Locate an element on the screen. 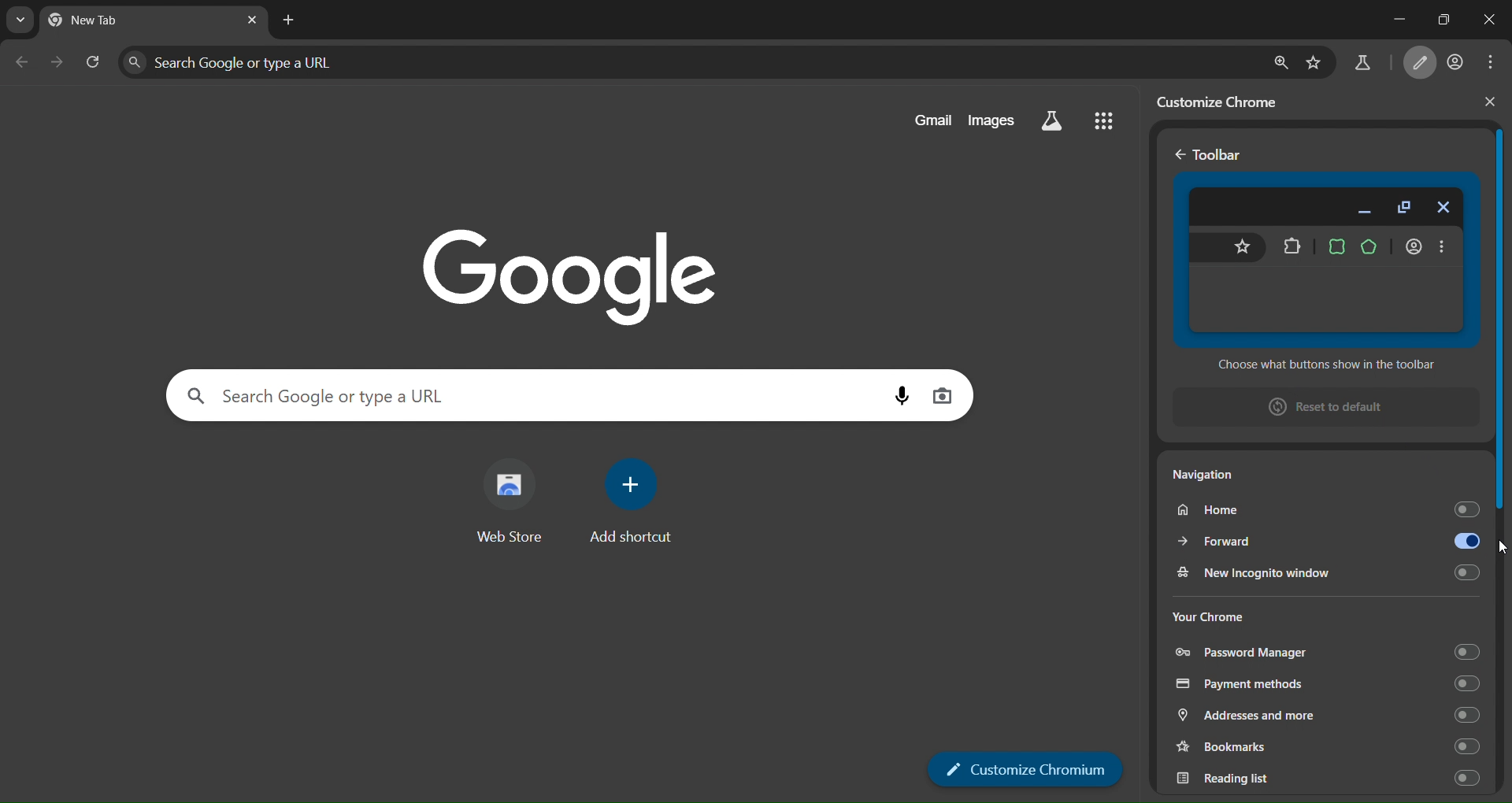  Cursor is located at coordinates (1501, 548).